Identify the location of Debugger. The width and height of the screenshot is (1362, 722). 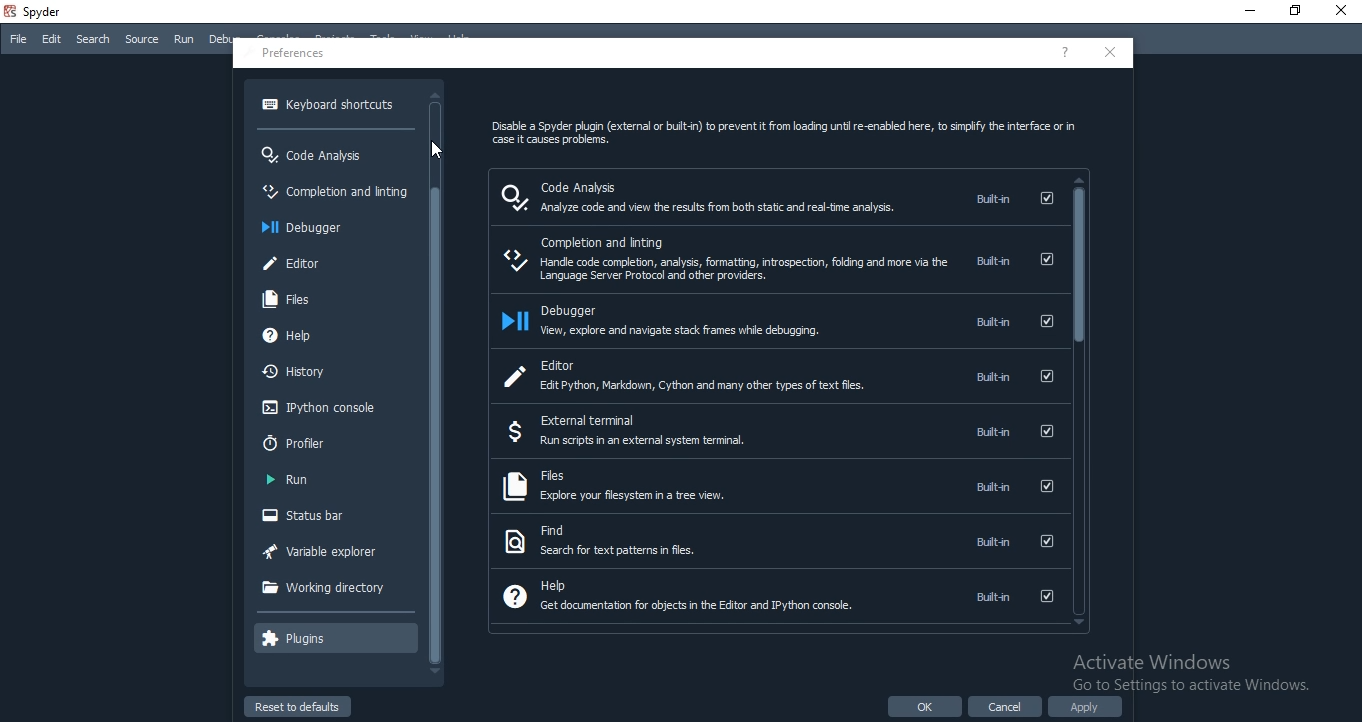
(304, 227).